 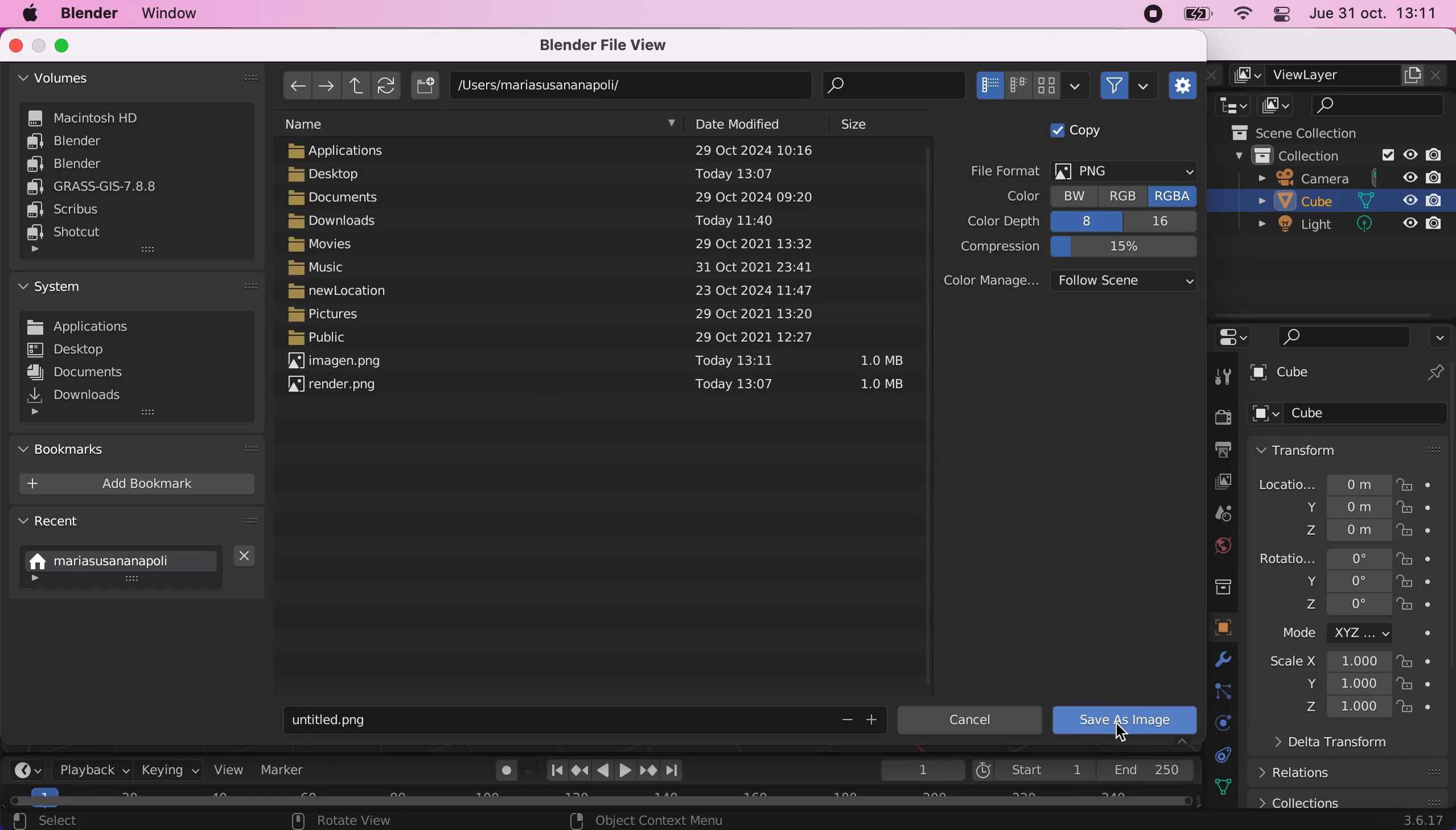 I want to click on battery, so click(x=1201, y=17).